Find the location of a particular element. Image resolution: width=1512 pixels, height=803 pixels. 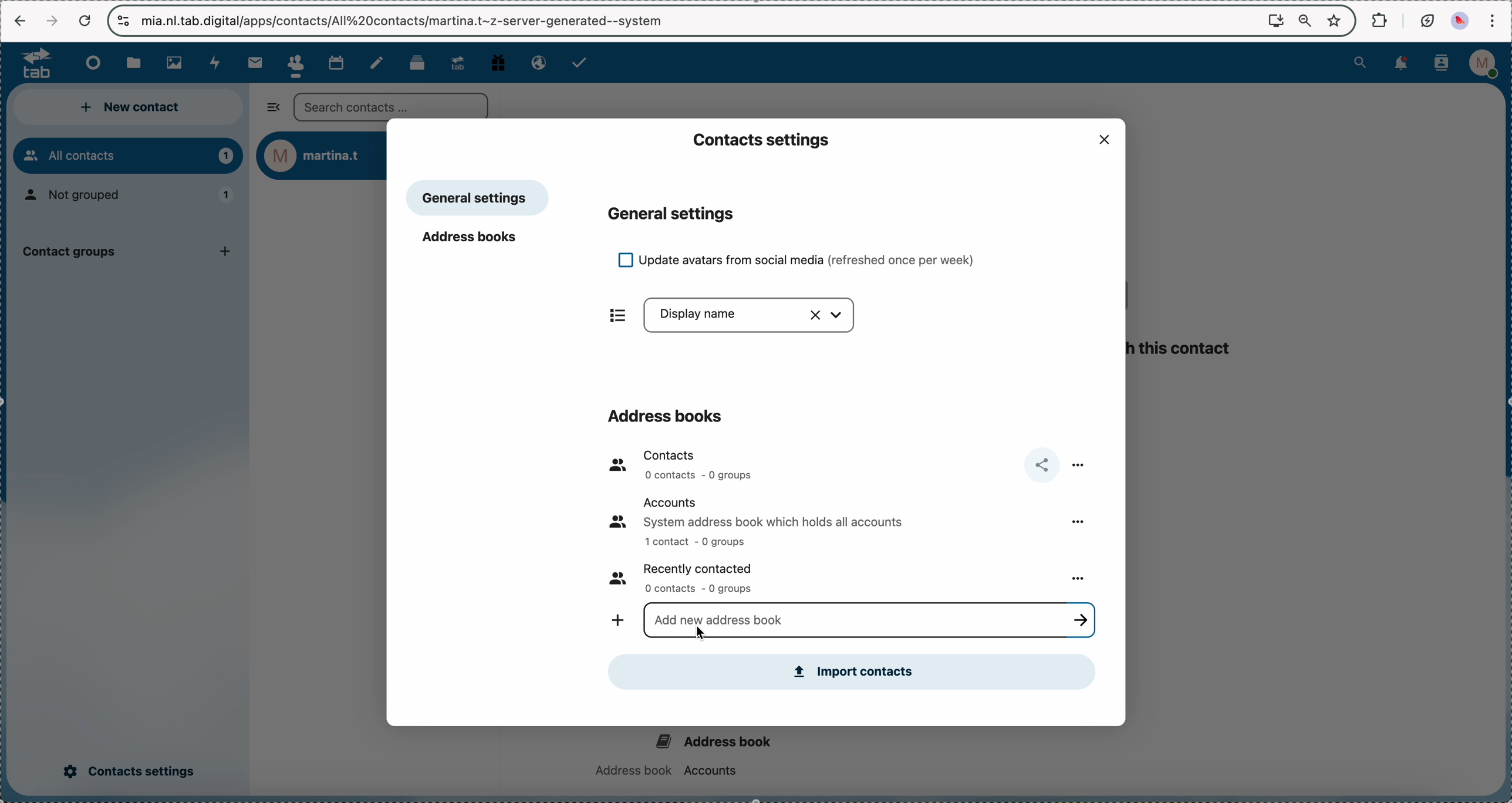

battery eco is located at coordinates (1427, 20).